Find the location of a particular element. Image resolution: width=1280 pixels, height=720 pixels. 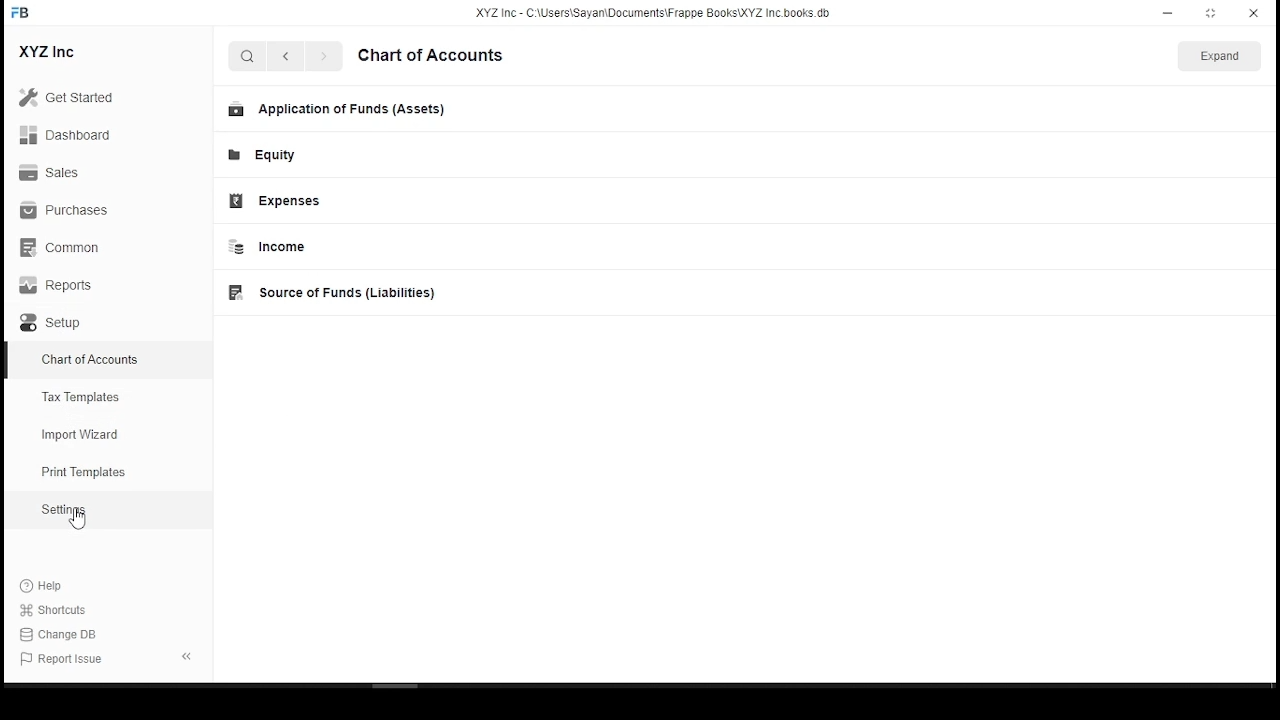

Equity is located at coordinates (260, 155).